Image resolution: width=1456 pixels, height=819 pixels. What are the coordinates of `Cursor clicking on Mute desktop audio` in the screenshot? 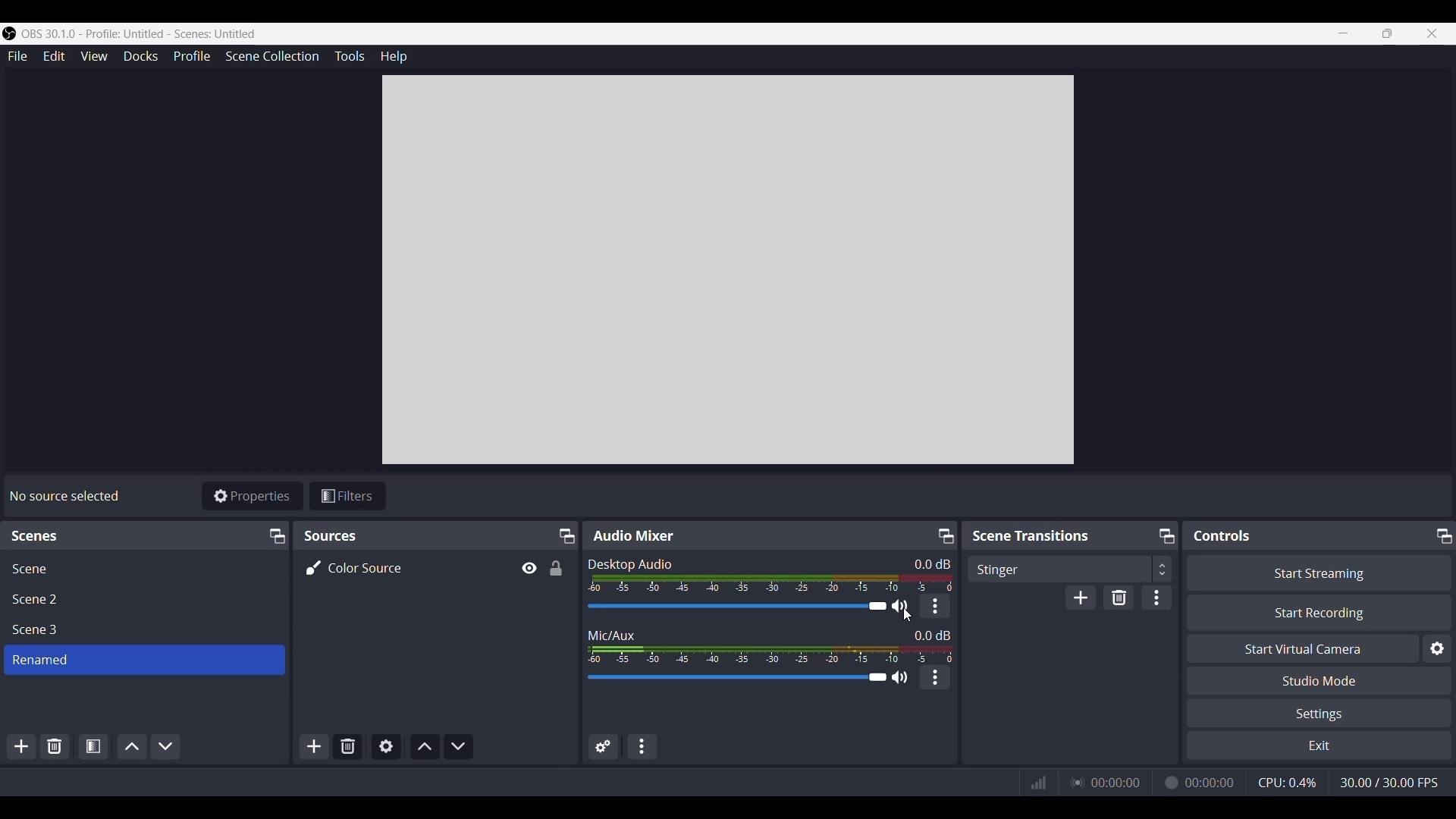 It's located at (905, 616).